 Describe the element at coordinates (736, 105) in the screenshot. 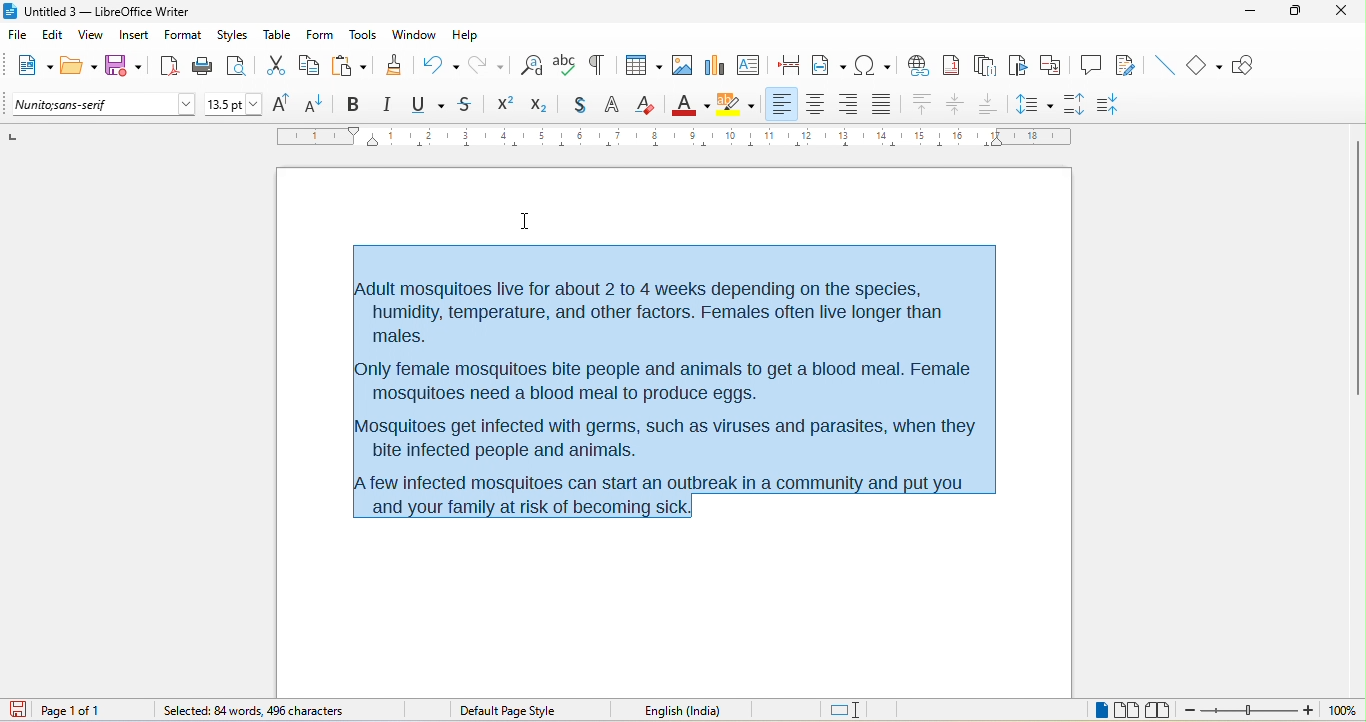

I see `highlighting color` at that location.